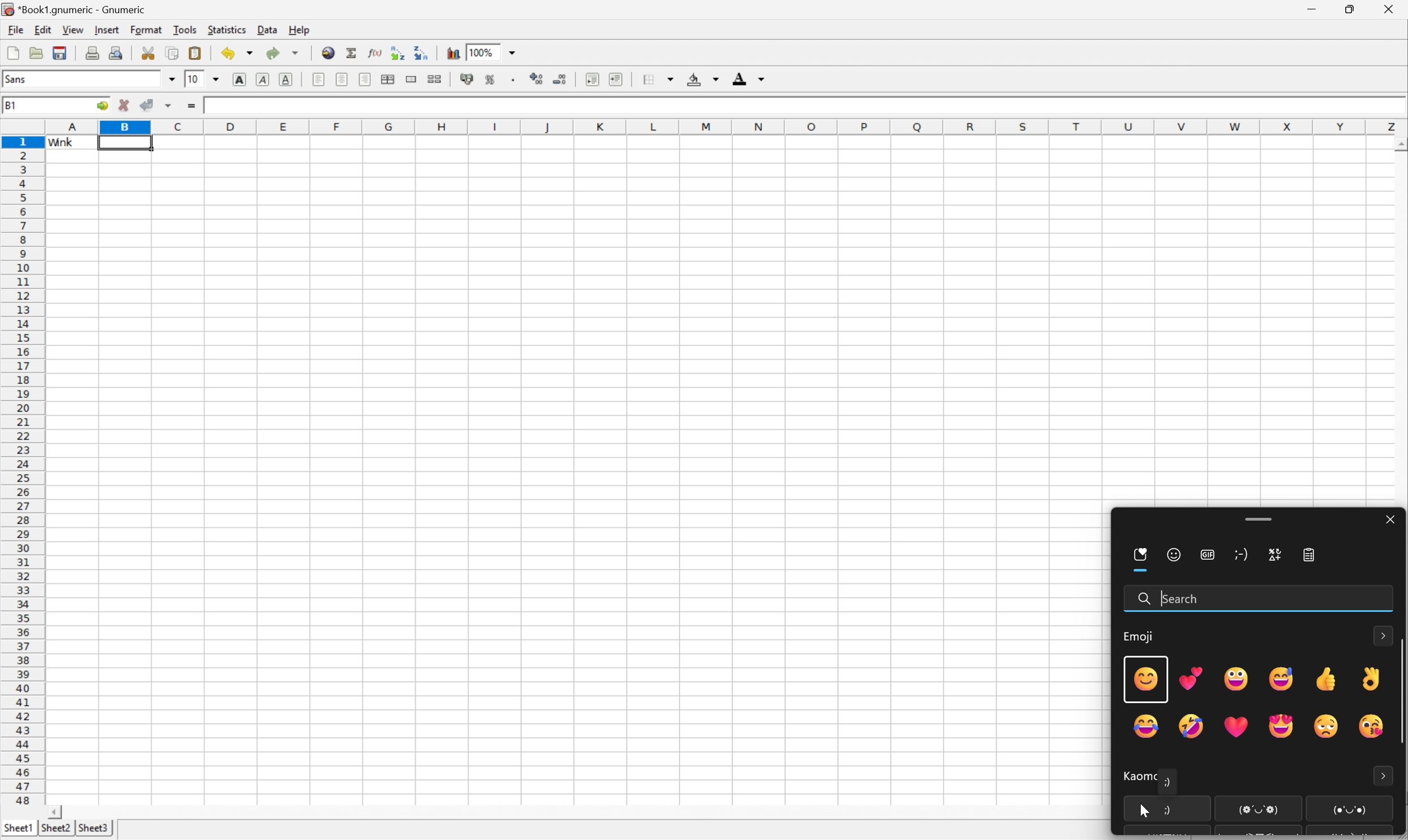  I want to click on minimize, so click(1313, 10).